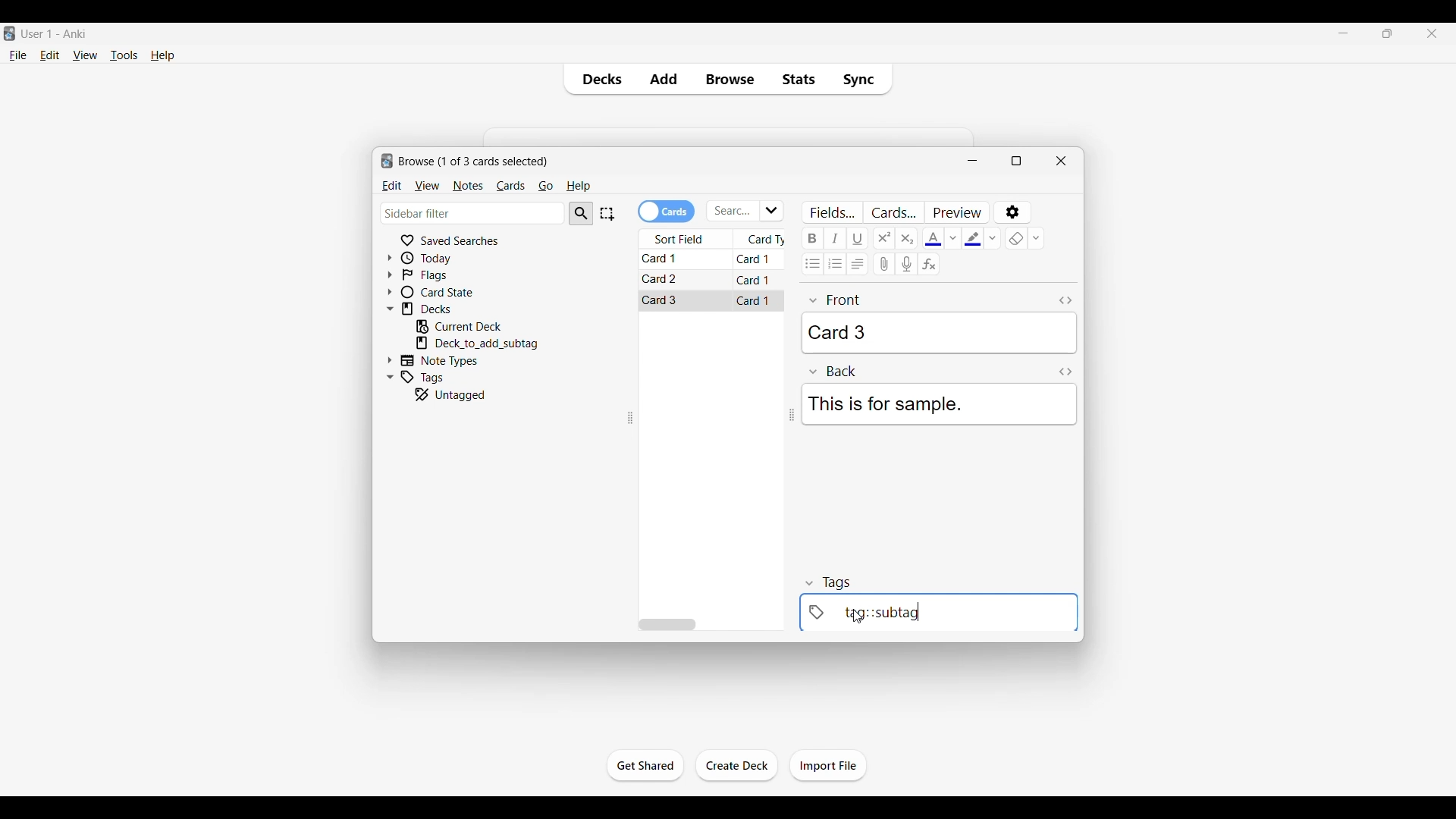 This screenshot has width=1456, height=819. Describe the element at coordinates (472, 394) in the screenshot. I see `Click to go to untagged` at that location.